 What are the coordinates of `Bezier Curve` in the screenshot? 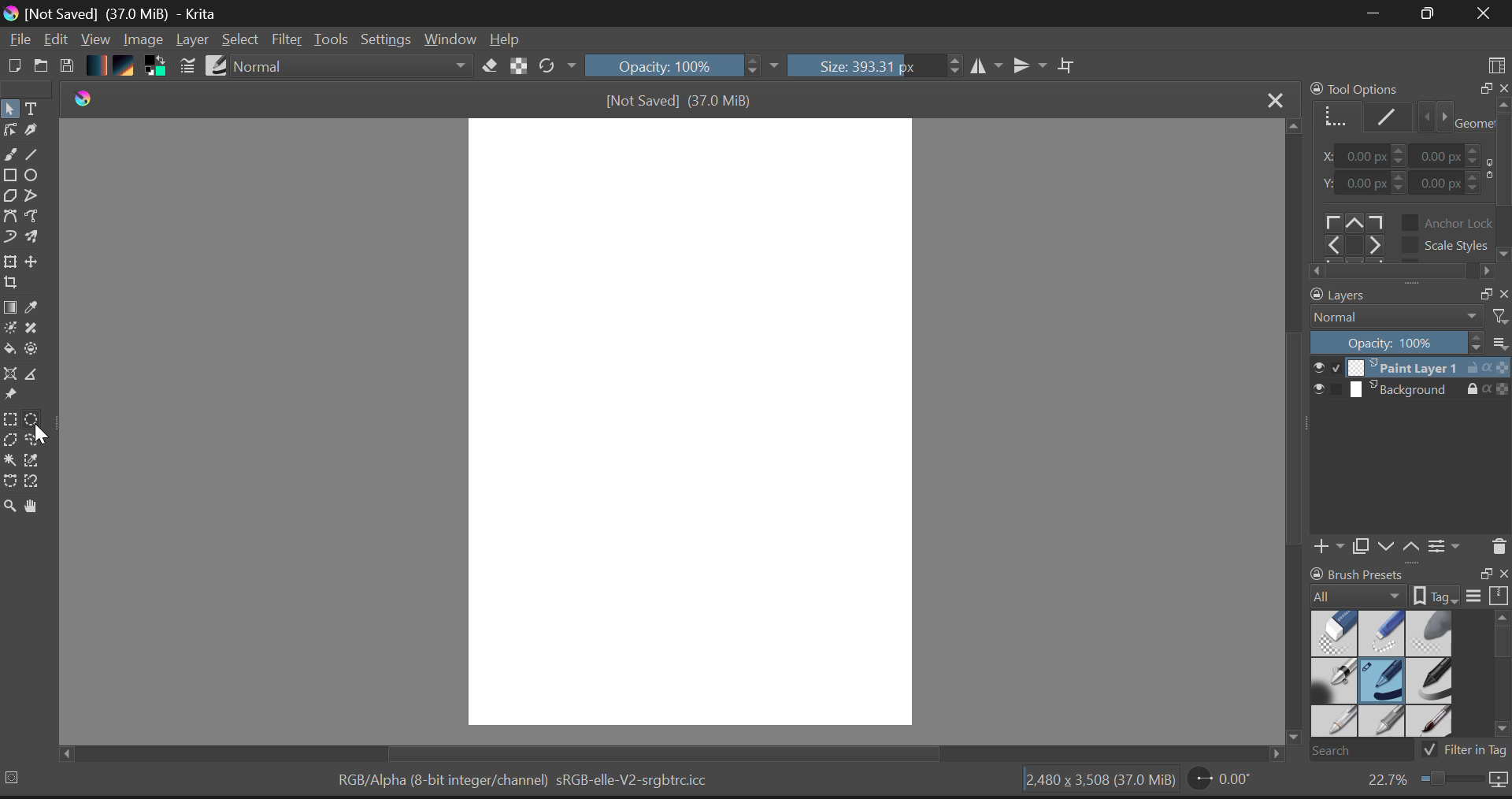 It's located at (11, 217).